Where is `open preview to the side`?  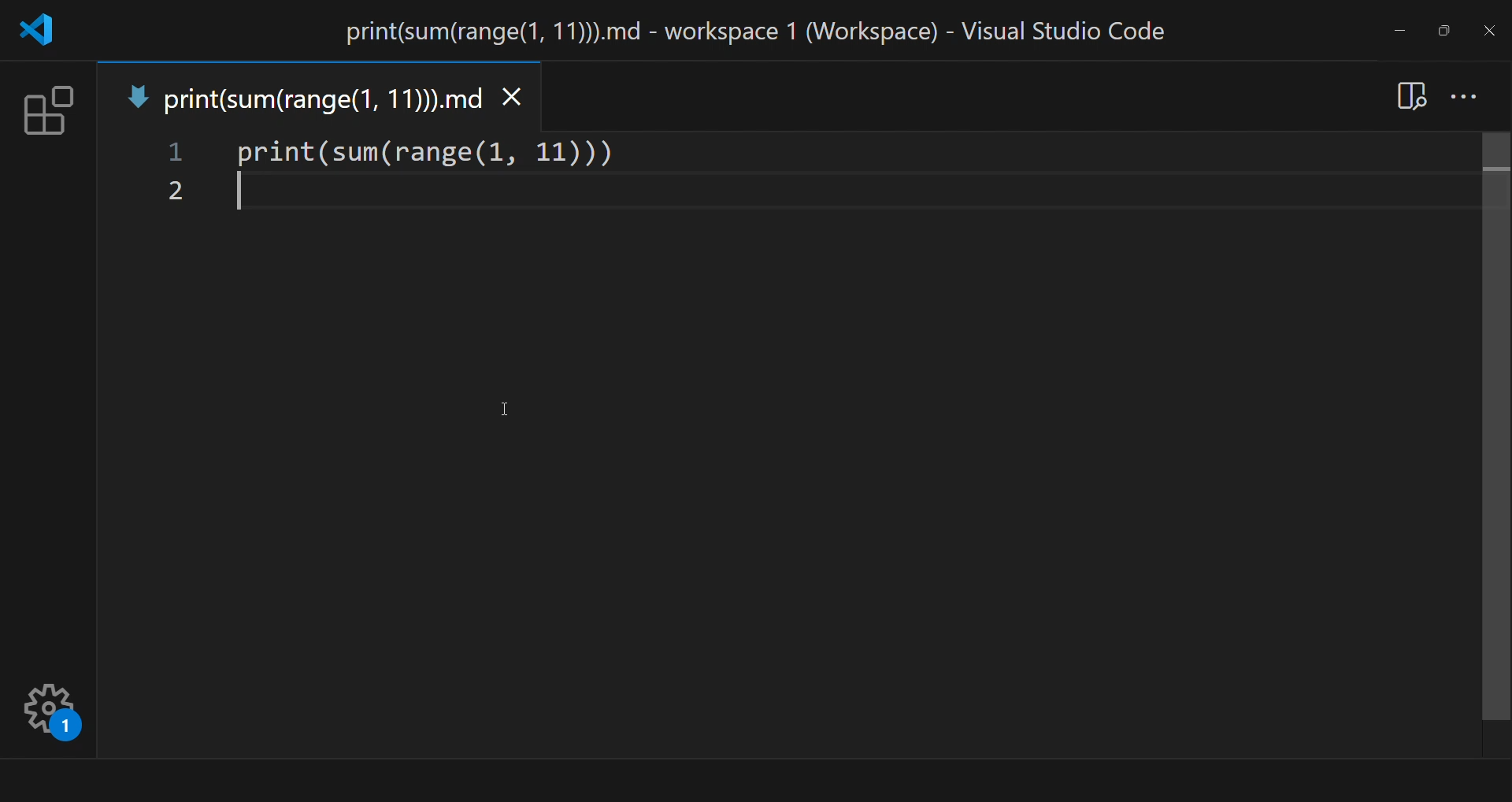
open preview to the side is located at coordinates (1406, 98).